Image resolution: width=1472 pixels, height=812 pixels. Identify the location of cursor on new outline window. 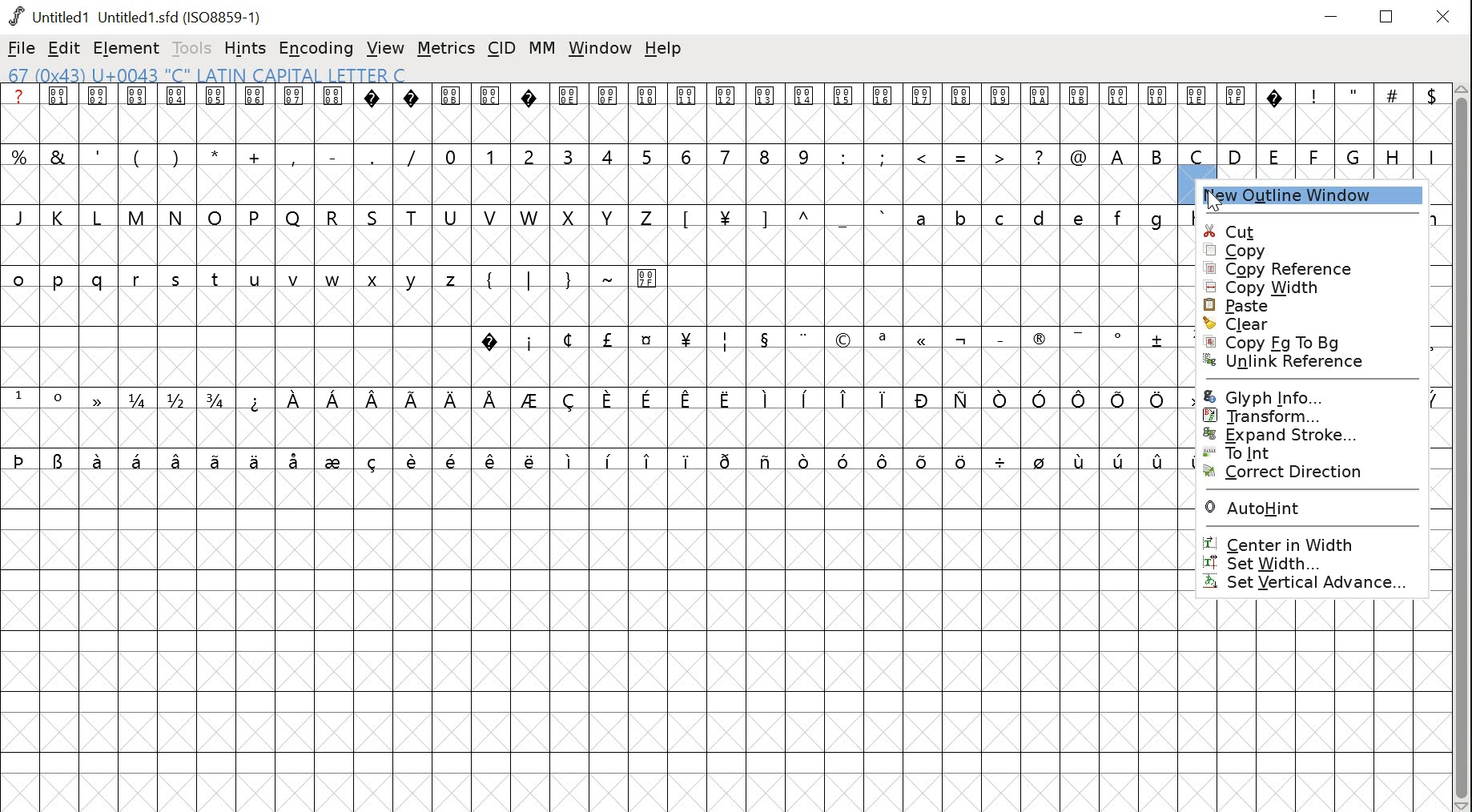
(1214, 199).